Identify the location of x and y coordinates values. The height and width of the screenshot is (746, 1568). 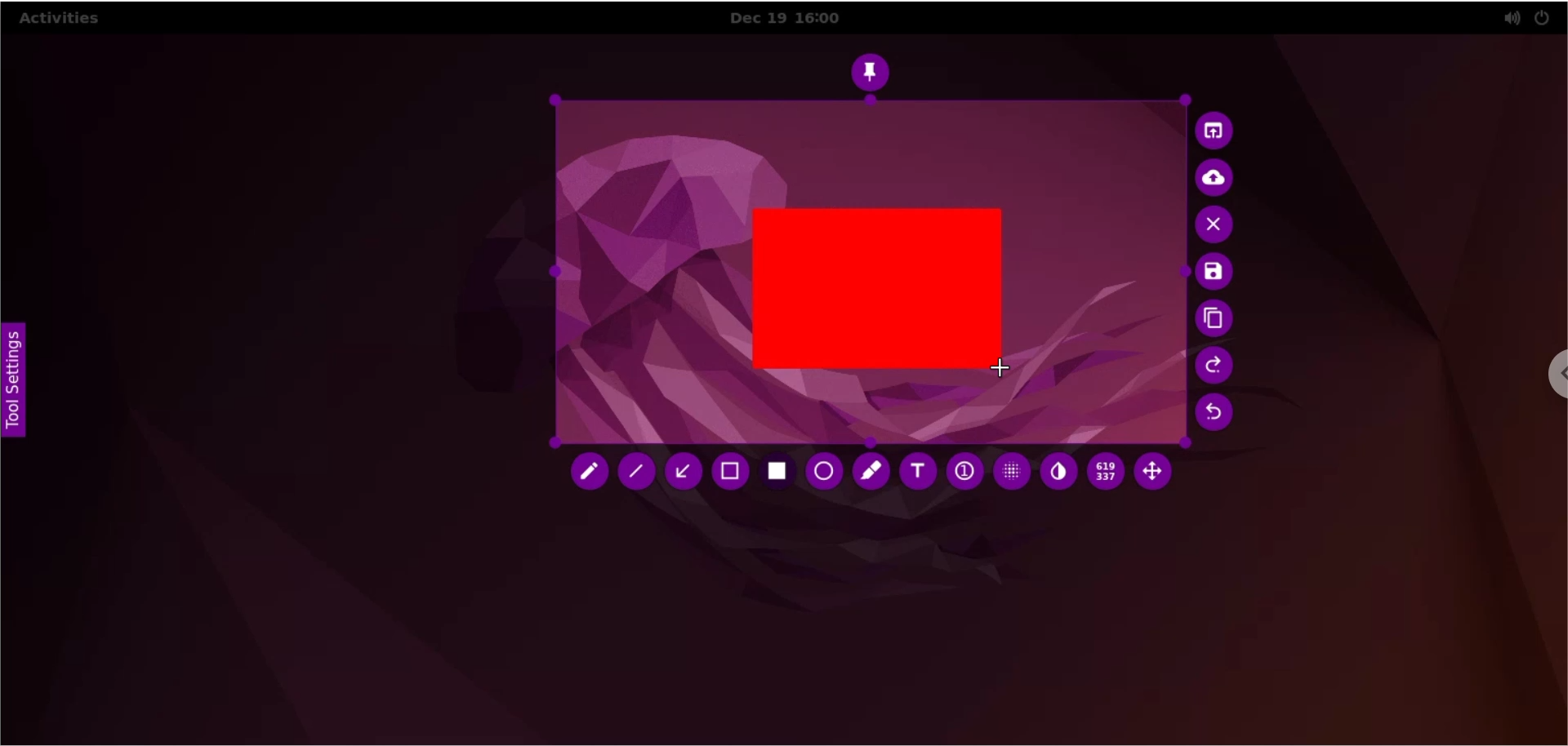
(1106, 474).